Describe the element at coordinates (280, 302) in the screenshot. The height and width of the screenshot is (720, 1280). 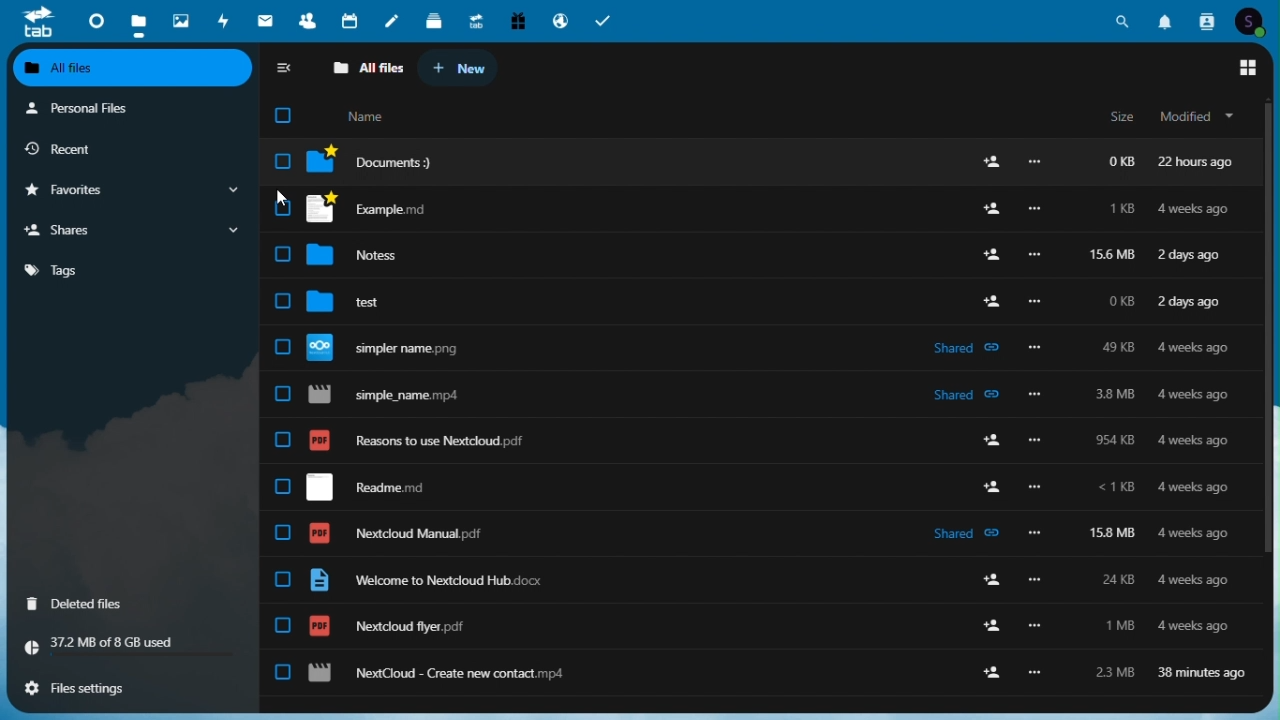
I see `check box` at that location.